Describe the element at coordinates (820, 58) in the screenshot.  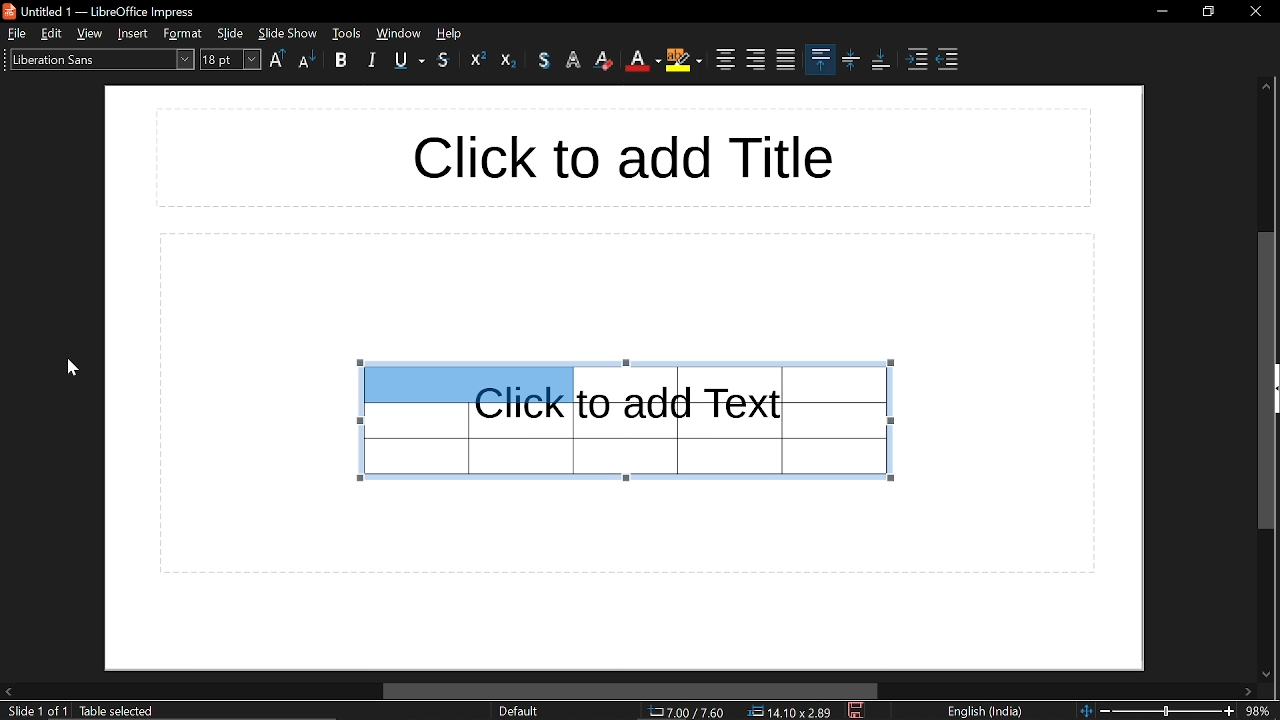
I see `align top` at that location.